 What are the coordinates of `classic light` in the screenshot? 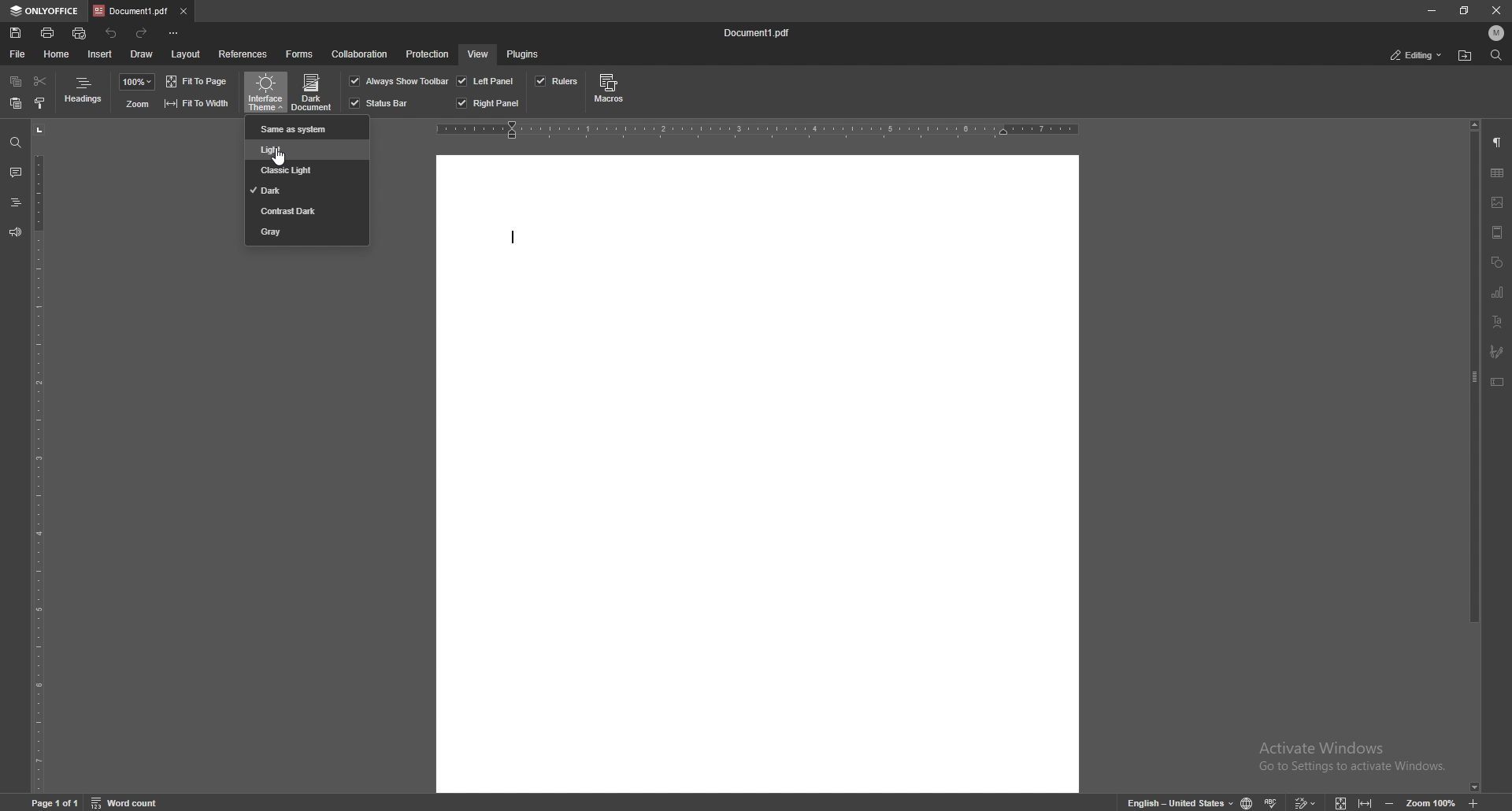 It's located at (305, 171).